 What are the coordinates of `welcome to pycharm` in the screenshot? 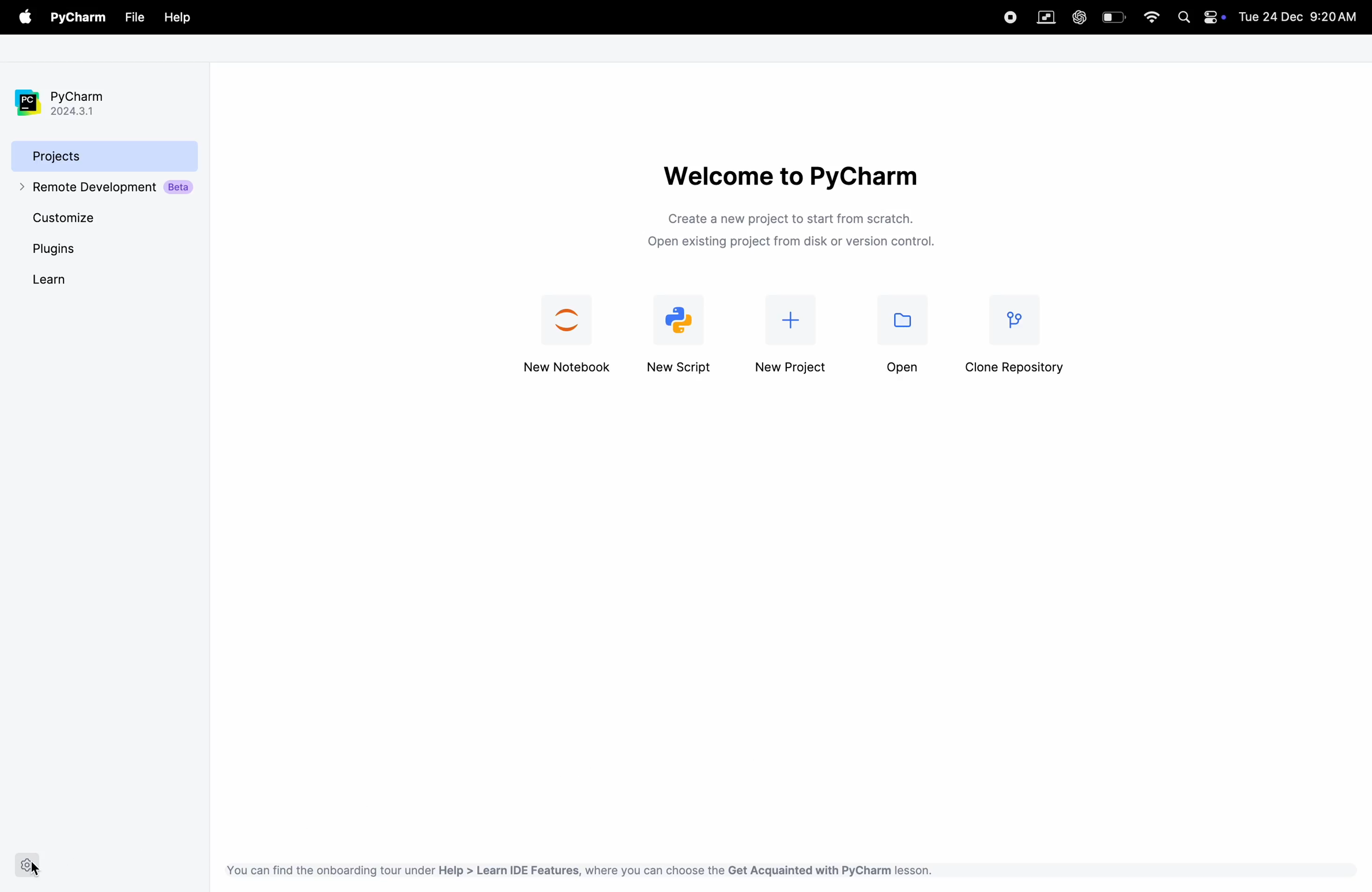 It's located at (789, 175).